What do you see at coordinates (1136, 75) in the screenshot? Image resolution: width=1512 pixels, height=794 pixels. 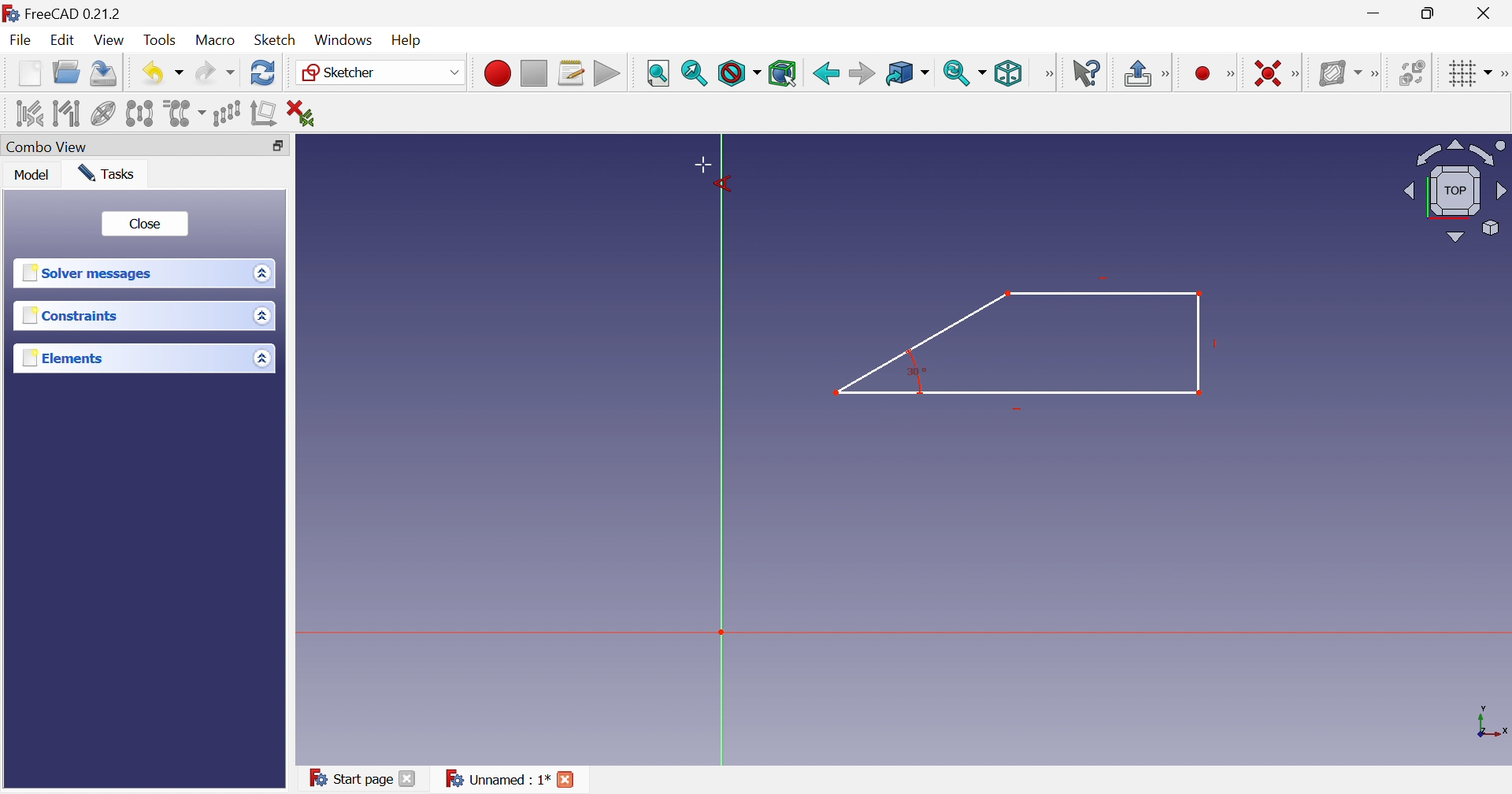 I see `Leave sketch` at bounding box center [1136, 75].